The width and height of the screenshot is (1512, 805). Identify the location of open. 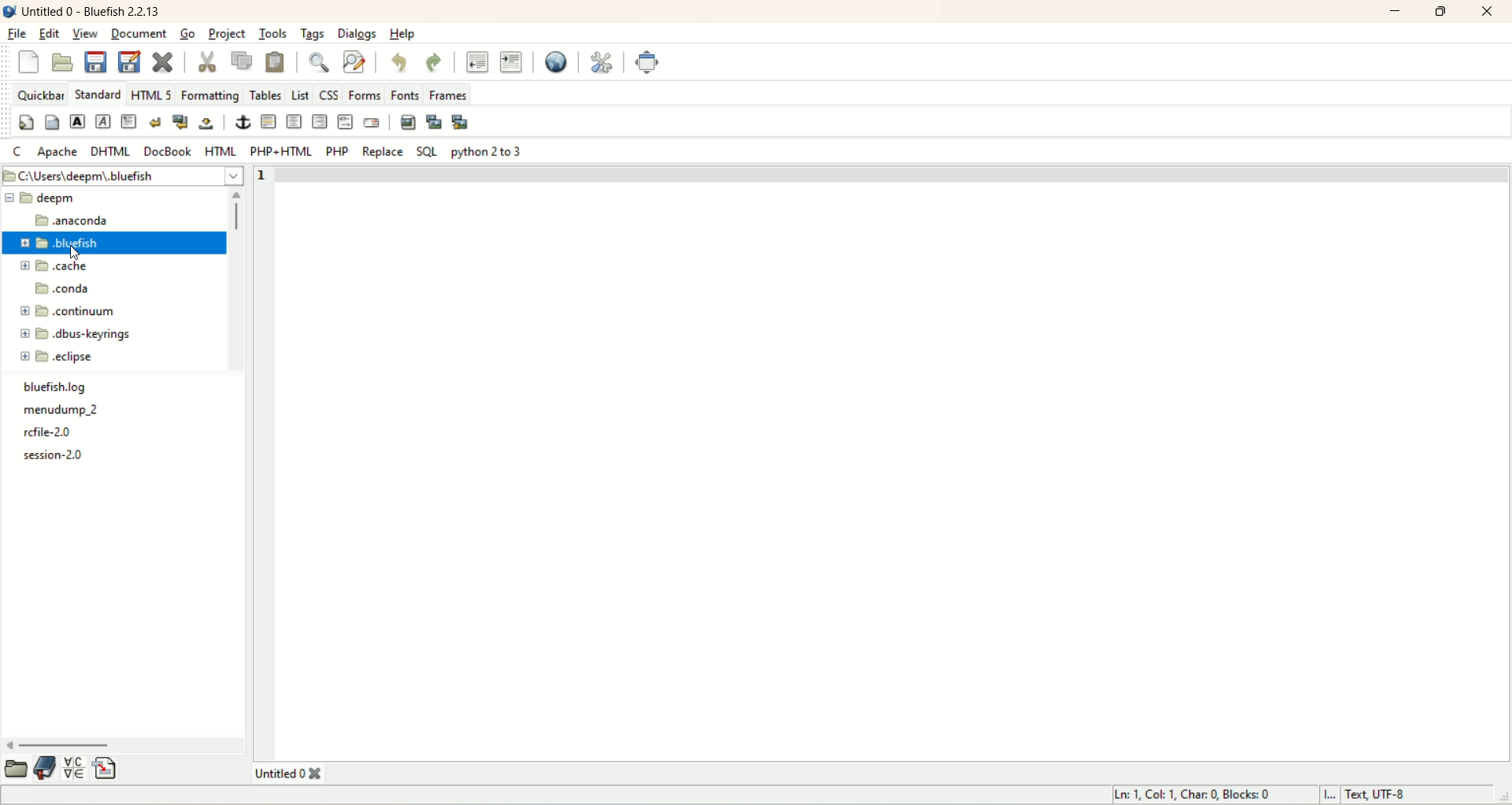
(18, 767).